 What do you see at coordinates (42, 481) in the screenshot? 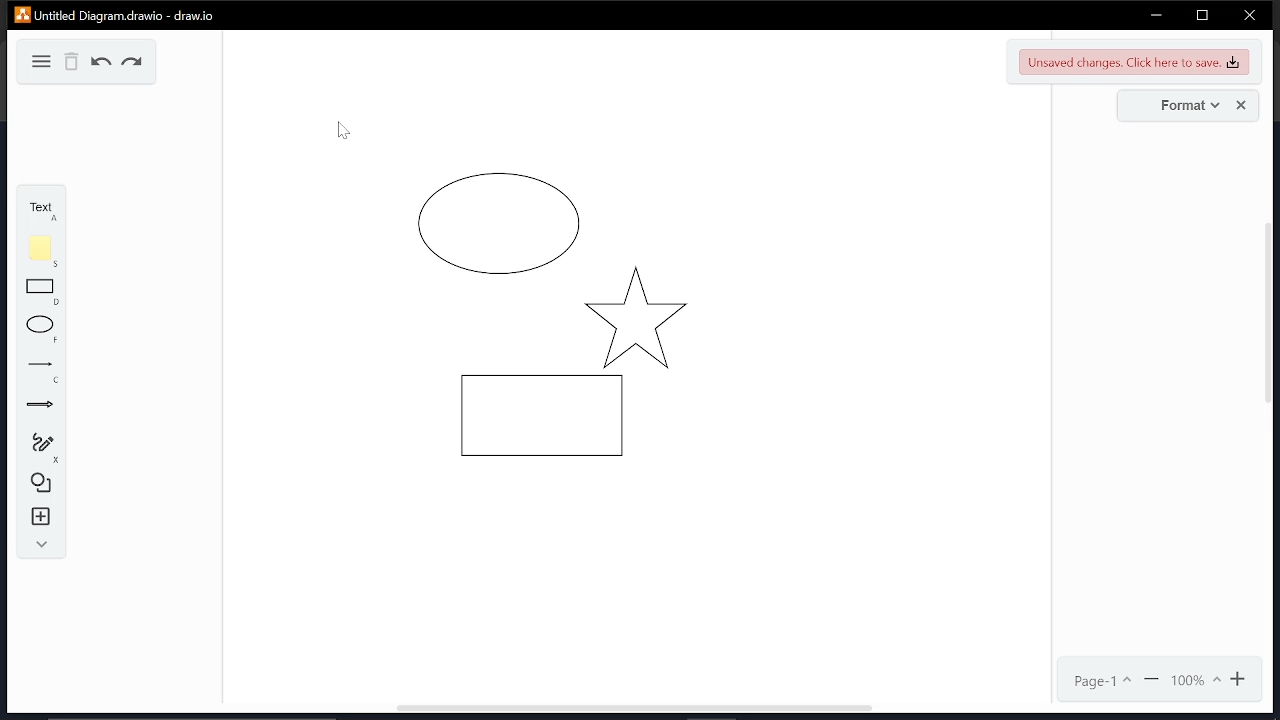
I see `shapes` at bounding box center [42, 481].